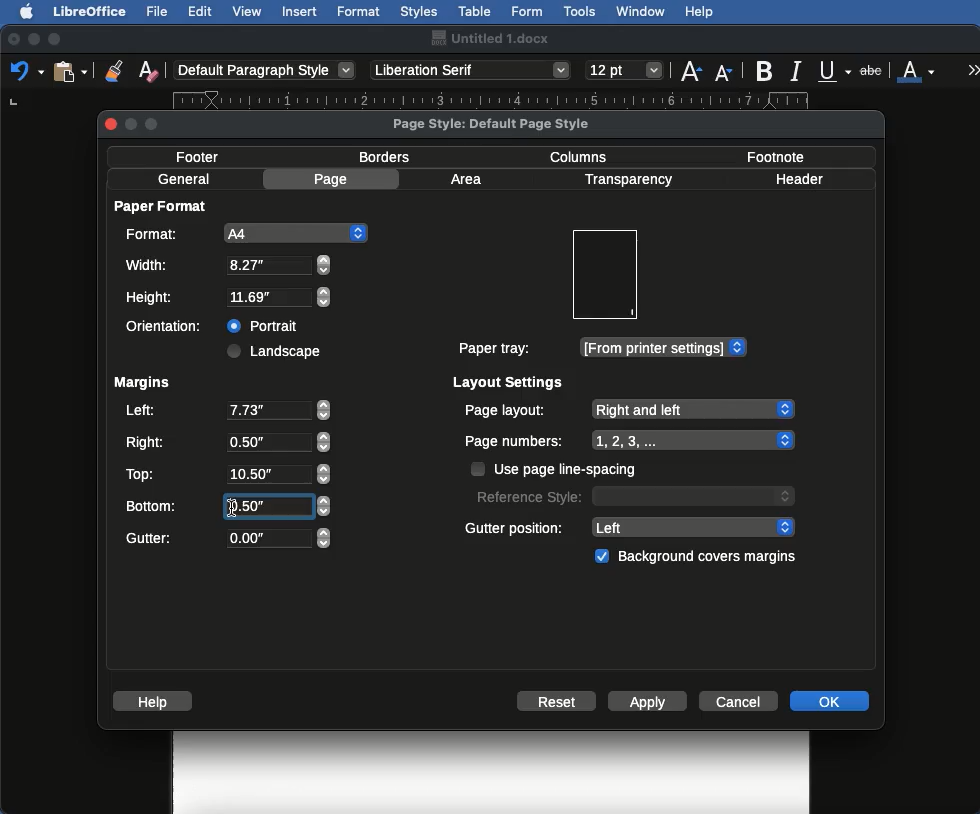 This screenshot has width=980, height=814. I want to click on Reference style, so click(633, 495).